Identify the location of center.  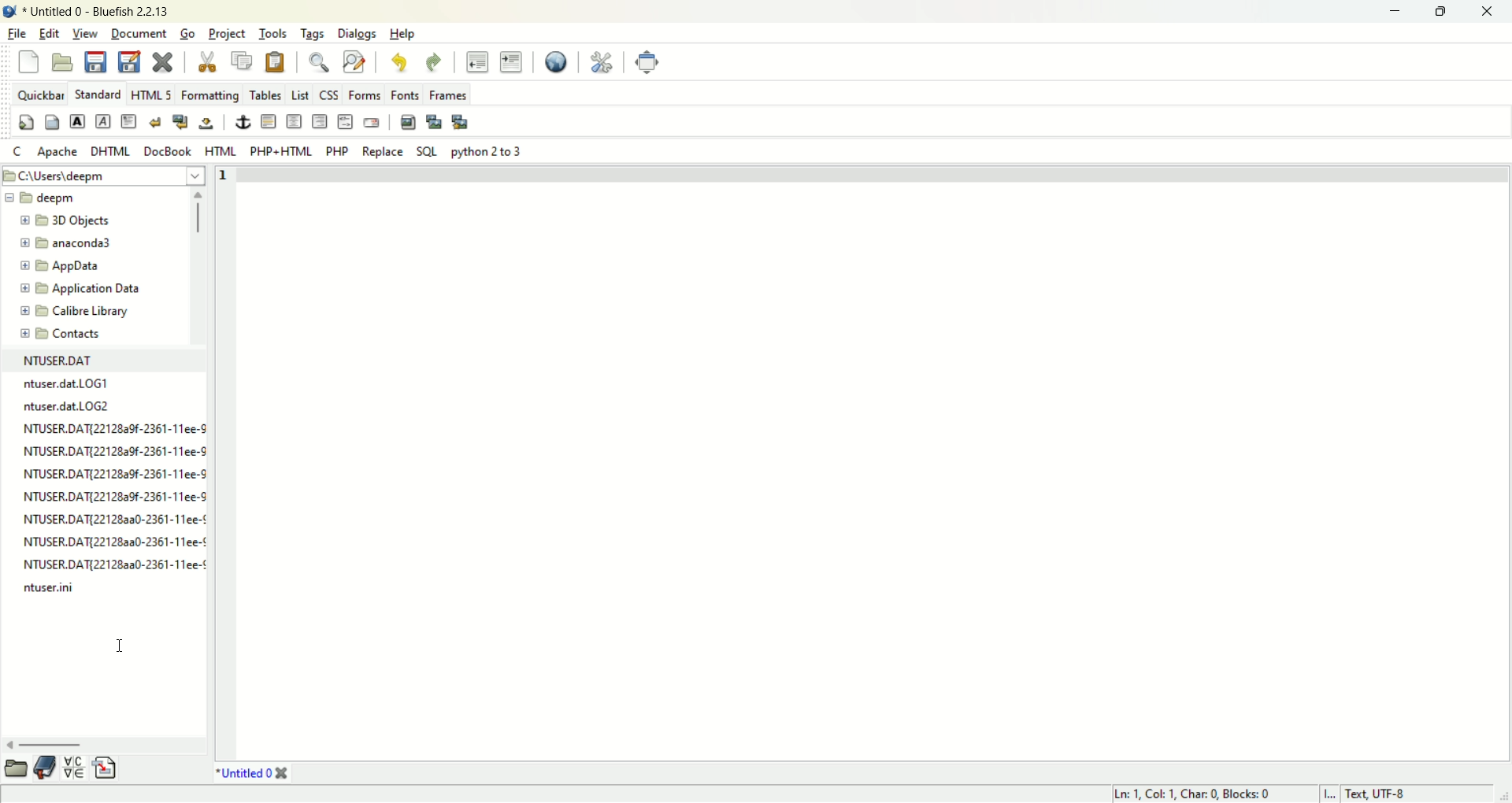
(295, 121).